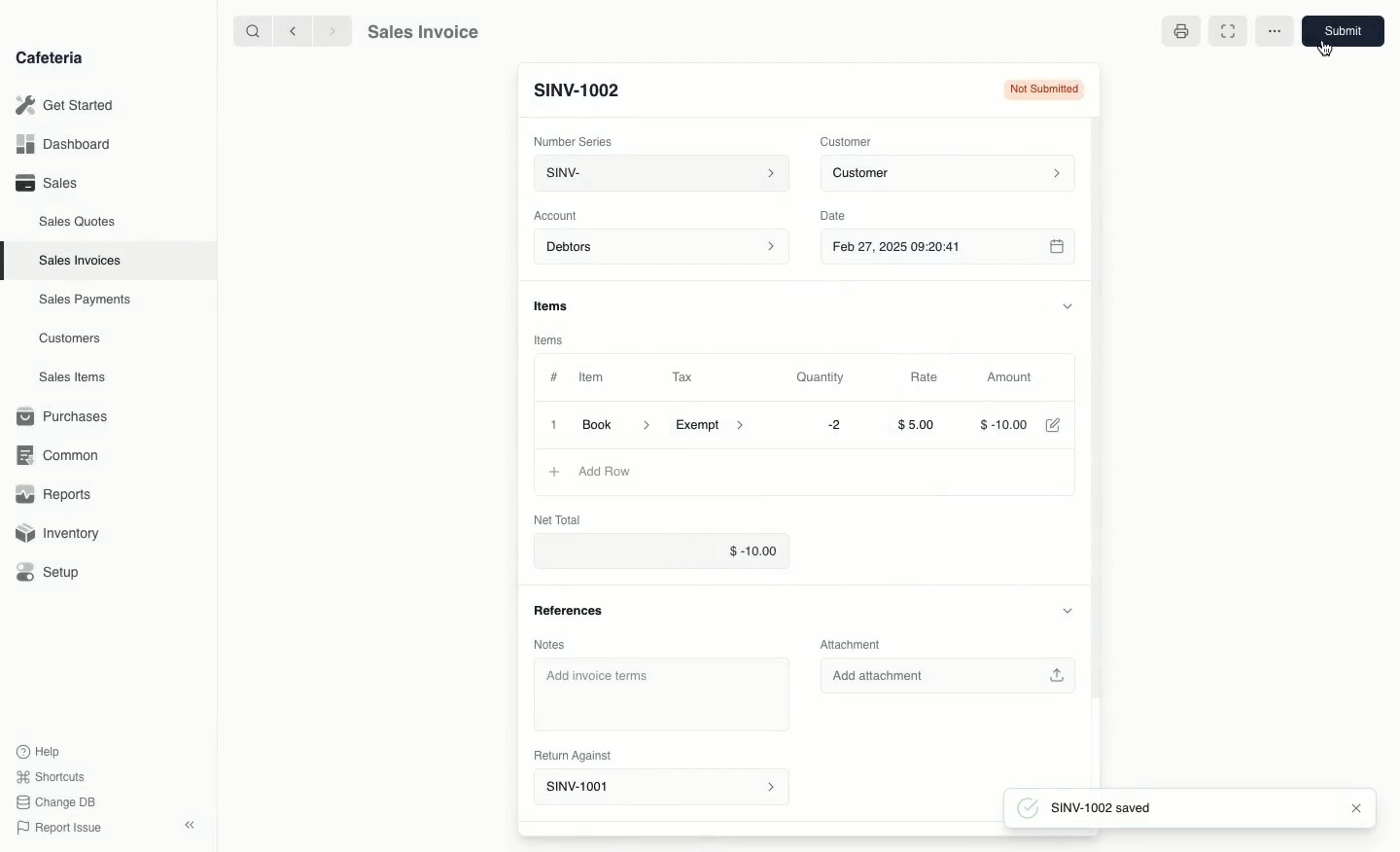  What do you see at coordinates (334, 31) in the screenshot?
I see `forward` at bounding box center [334, 31].